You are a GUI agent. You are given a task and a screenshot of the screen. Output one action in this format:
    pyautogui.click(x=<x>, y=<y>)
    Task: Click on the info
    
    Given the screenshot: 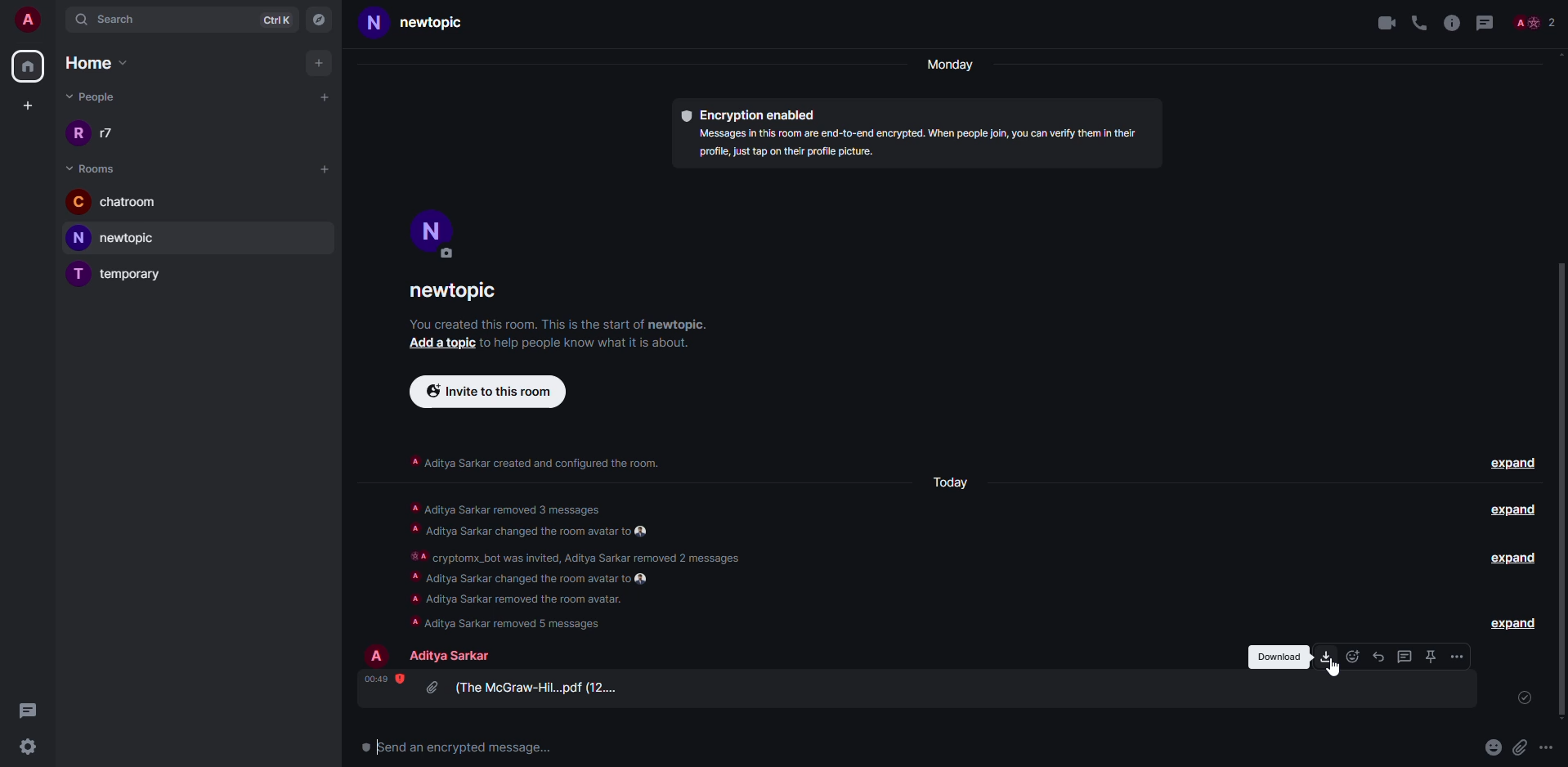 What is the action you would take?
    pyautogui.click(x=1451, y=22)
    